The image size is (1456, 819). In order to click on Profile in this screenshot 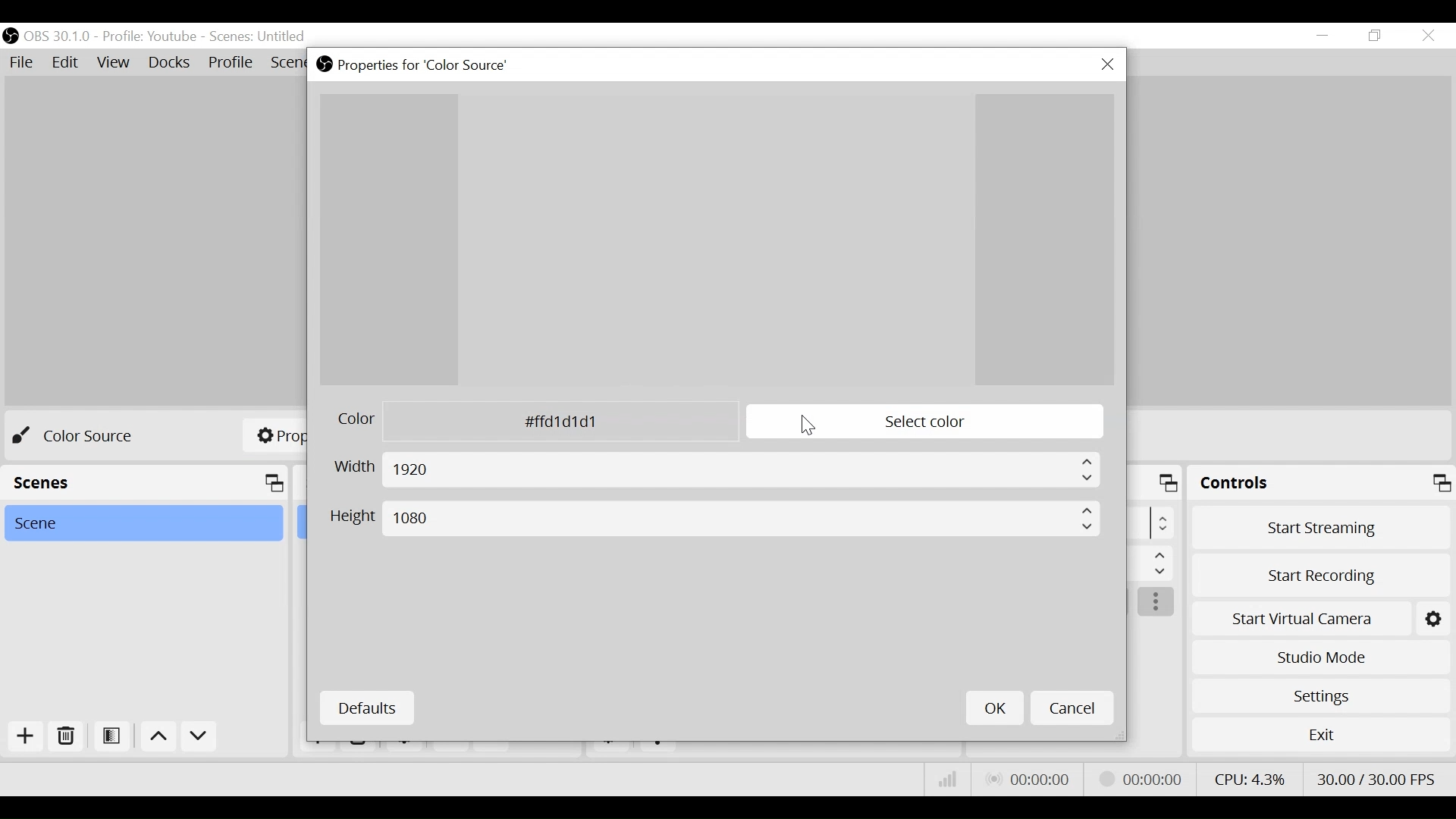, I will do `click(149, 36)`.